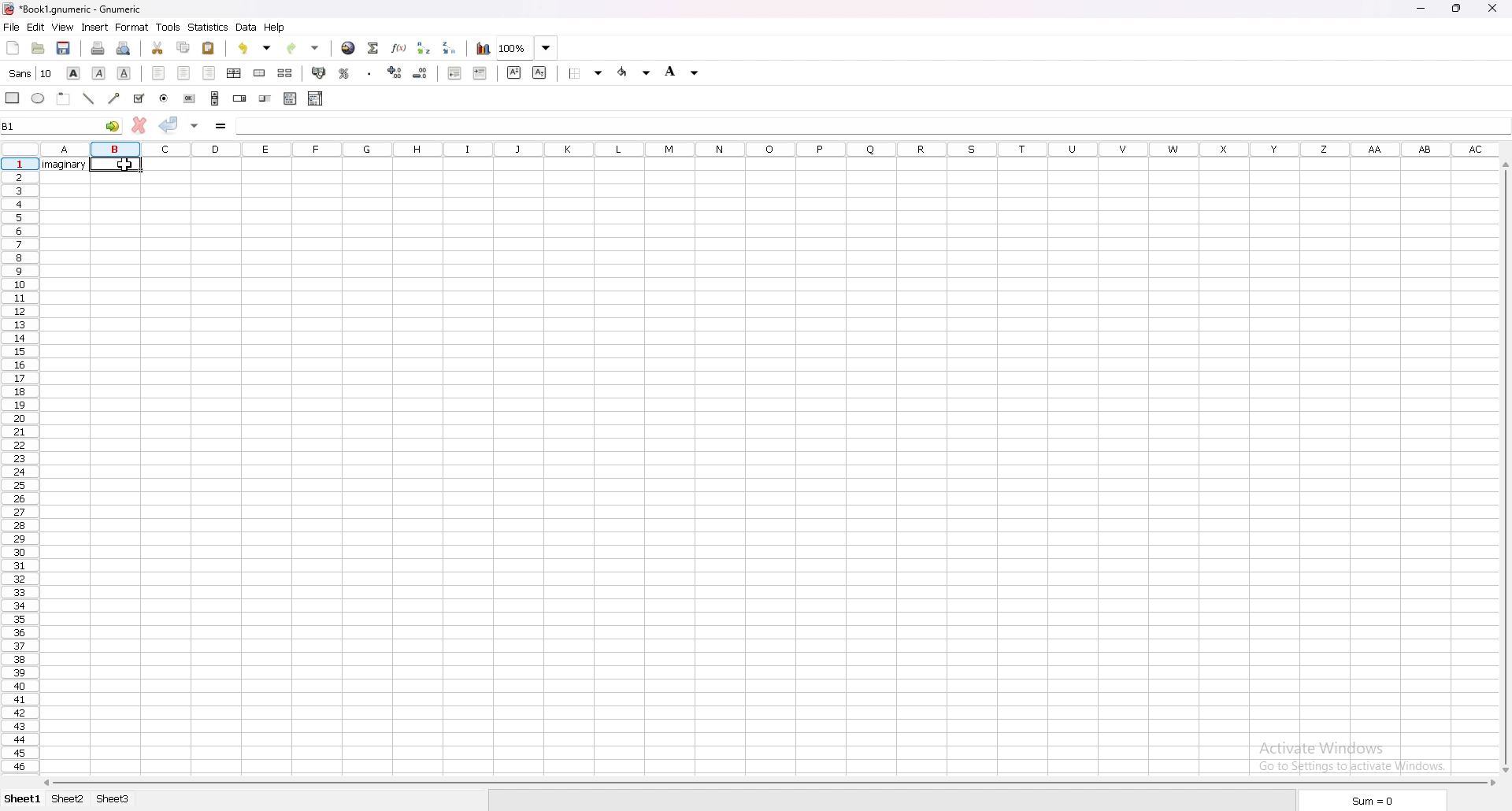 Image resolution: width=1512 pixels, height=811 pixels. I want to click on button, so click(191, 98).